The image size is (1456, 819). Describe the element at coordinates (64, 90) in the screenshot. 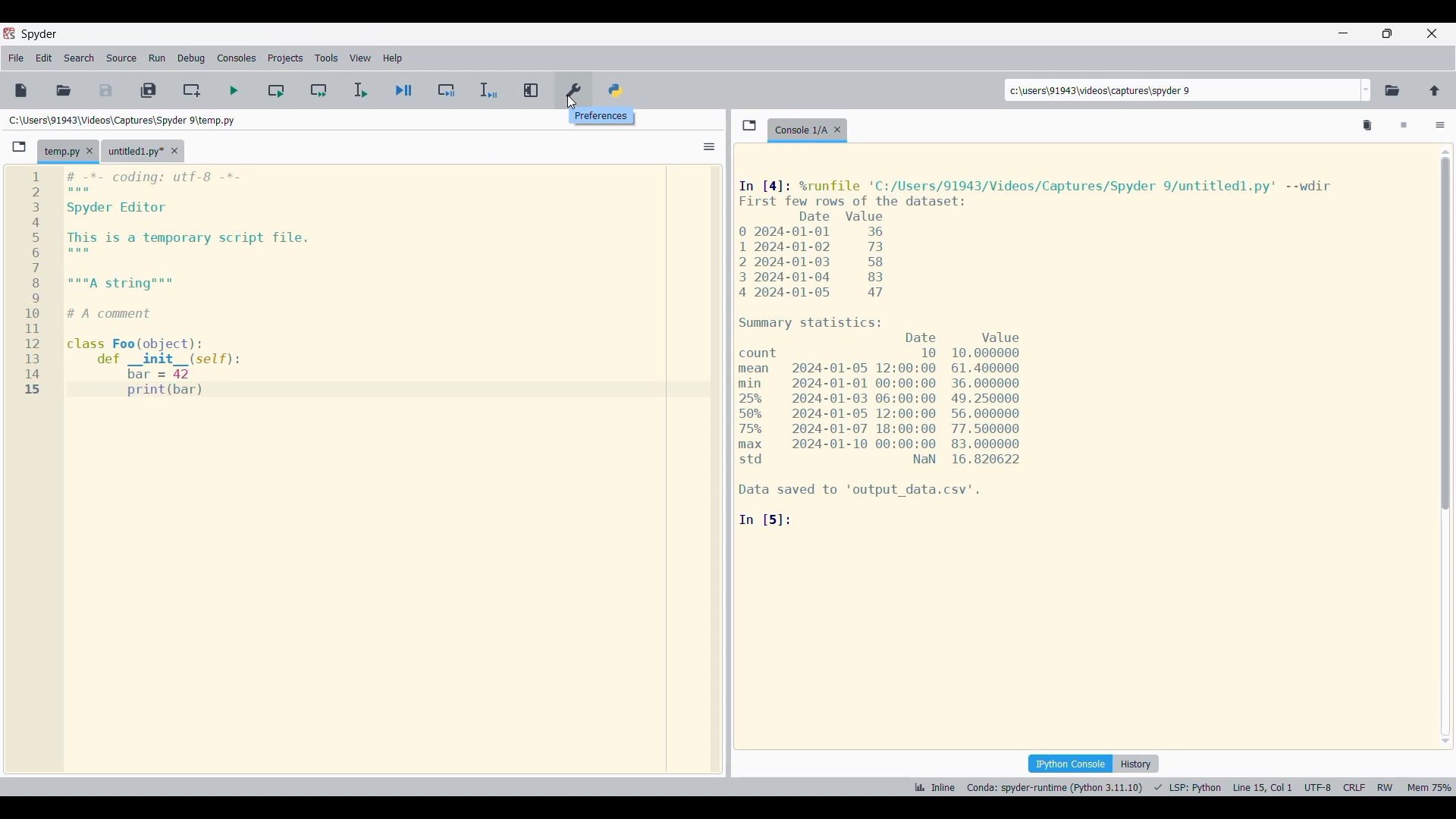

I see `Open` at that location.